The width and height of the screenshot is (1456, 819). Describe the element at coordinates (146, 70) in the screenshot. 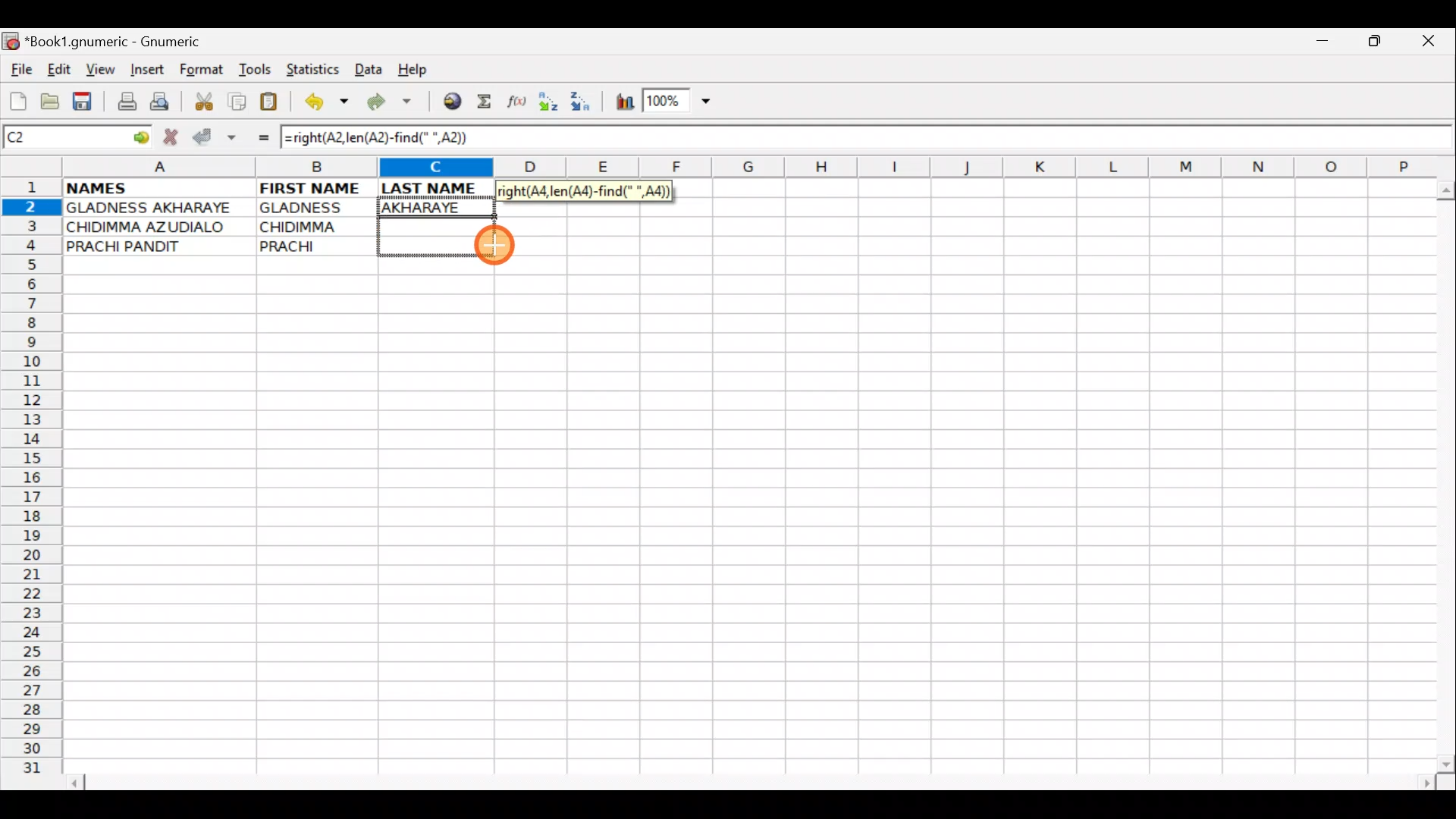

I see `Insert` at that location.